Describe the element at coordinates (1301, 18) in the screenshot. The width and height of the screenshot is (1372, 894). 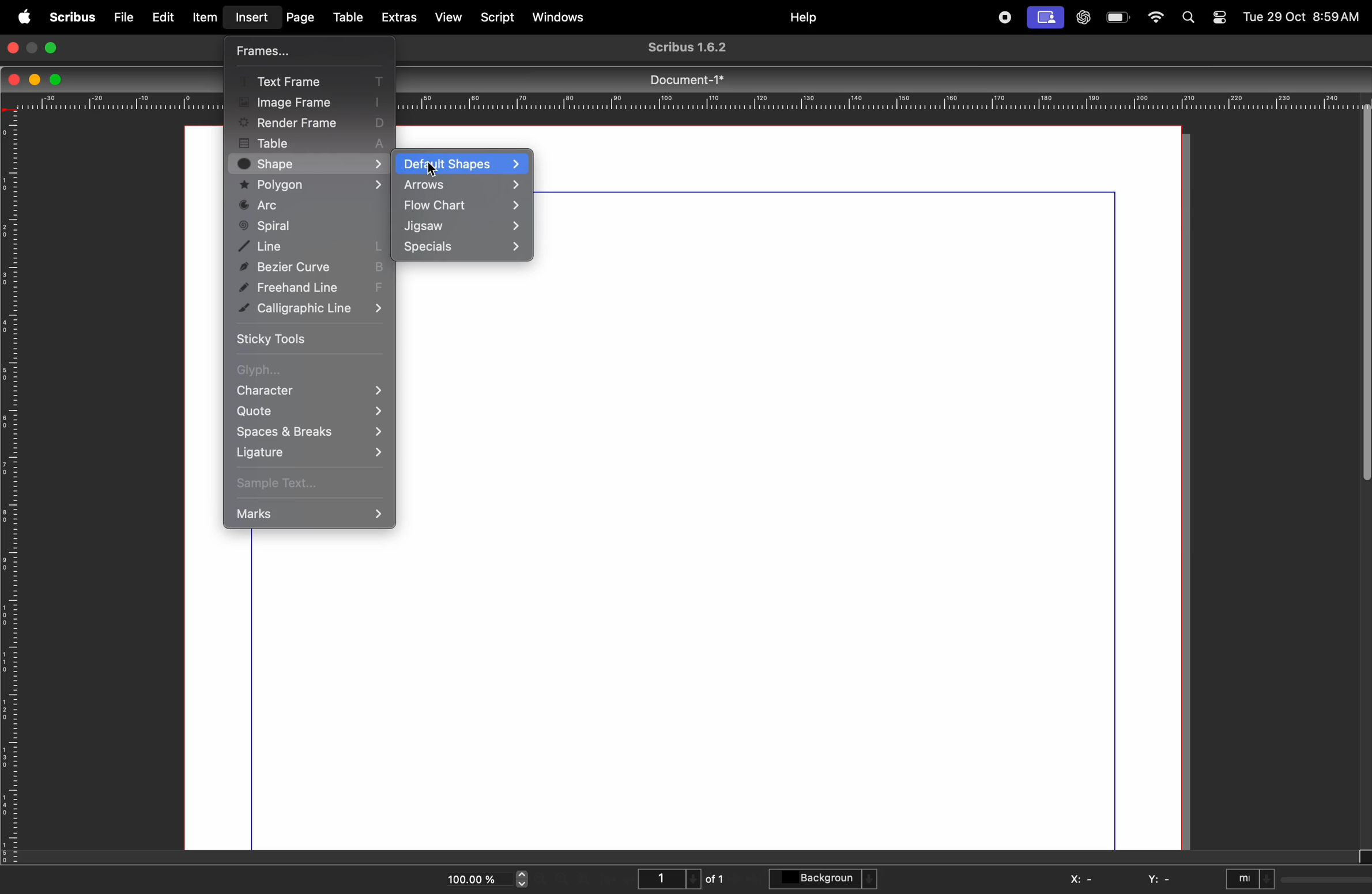
I see `Tue 29 Oct 8:59AM` at that location.